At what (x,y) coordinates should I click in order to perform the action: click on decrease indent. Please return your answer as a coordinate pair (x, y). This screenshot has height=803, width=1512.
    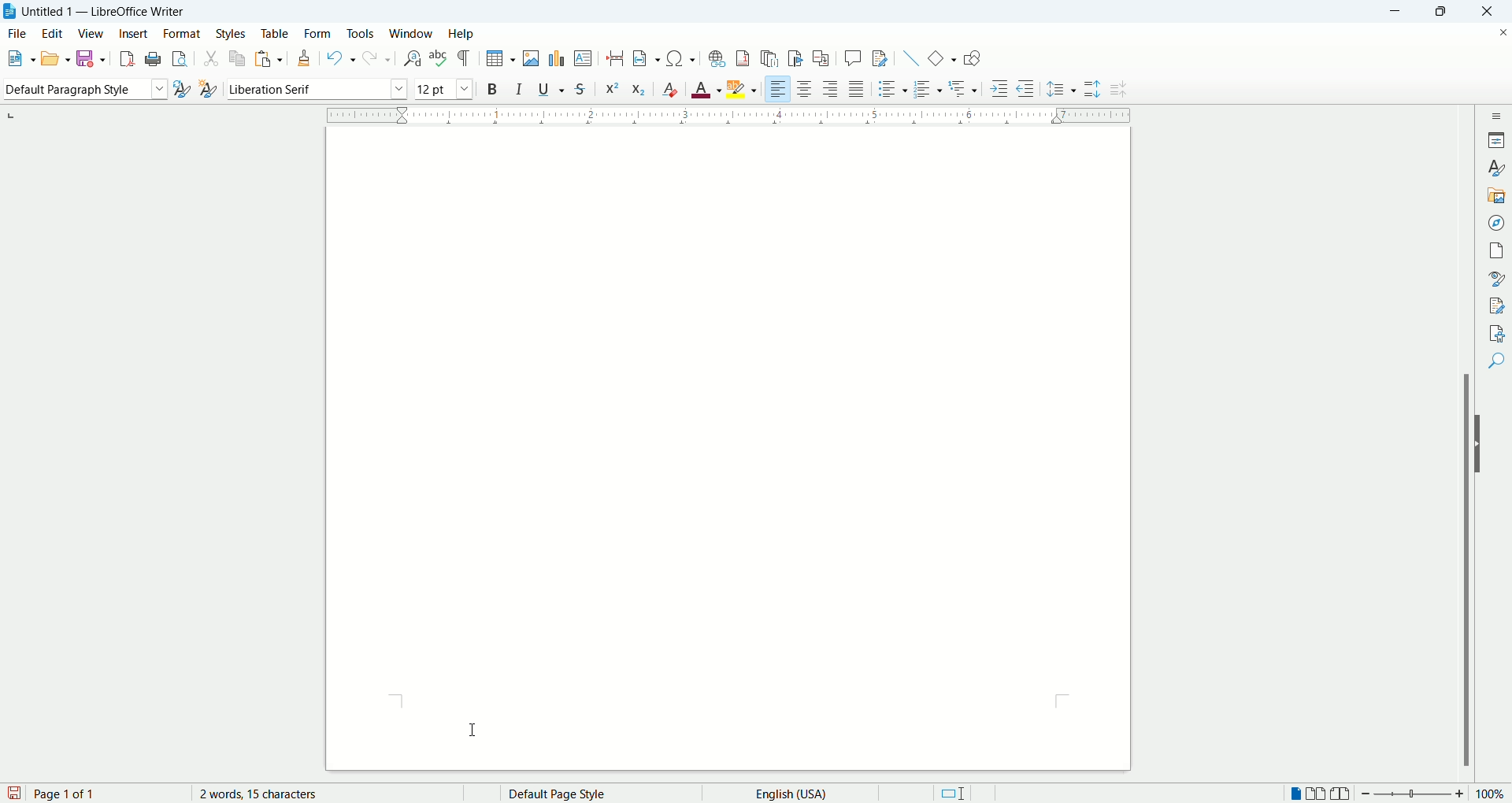
    Looking at the image, I should click on (1025, 88).